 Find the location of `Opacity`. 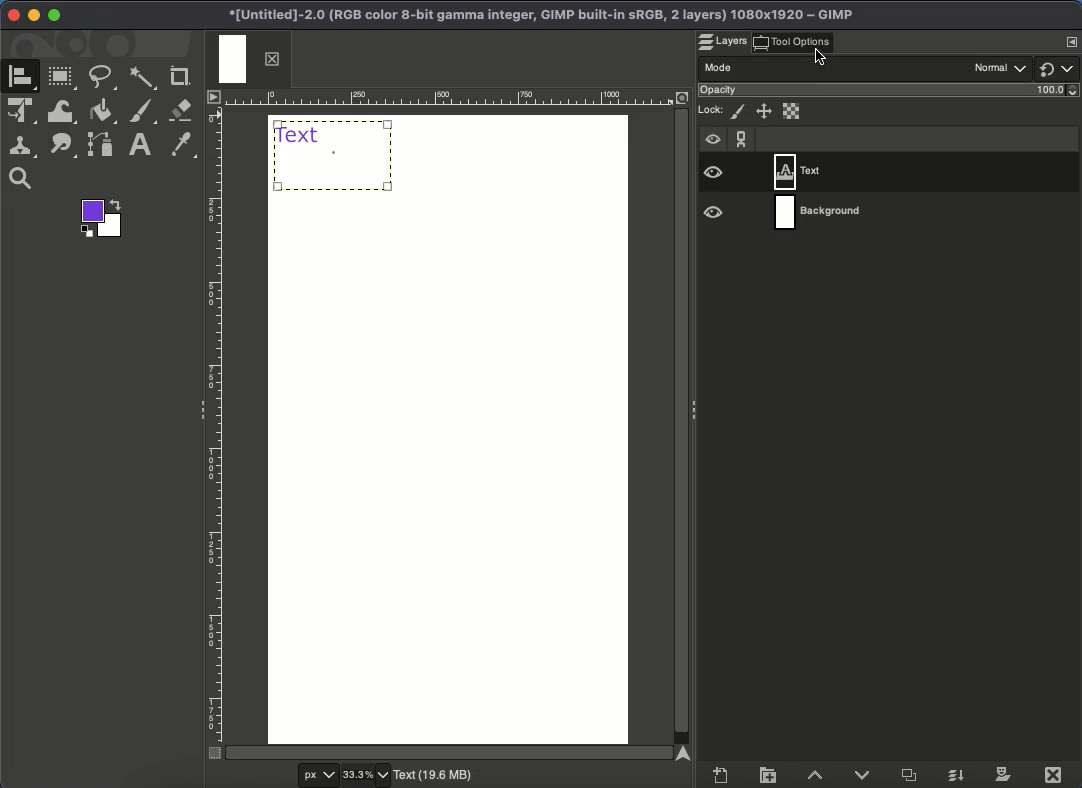

Opacity is located at coordinates (891, 90).